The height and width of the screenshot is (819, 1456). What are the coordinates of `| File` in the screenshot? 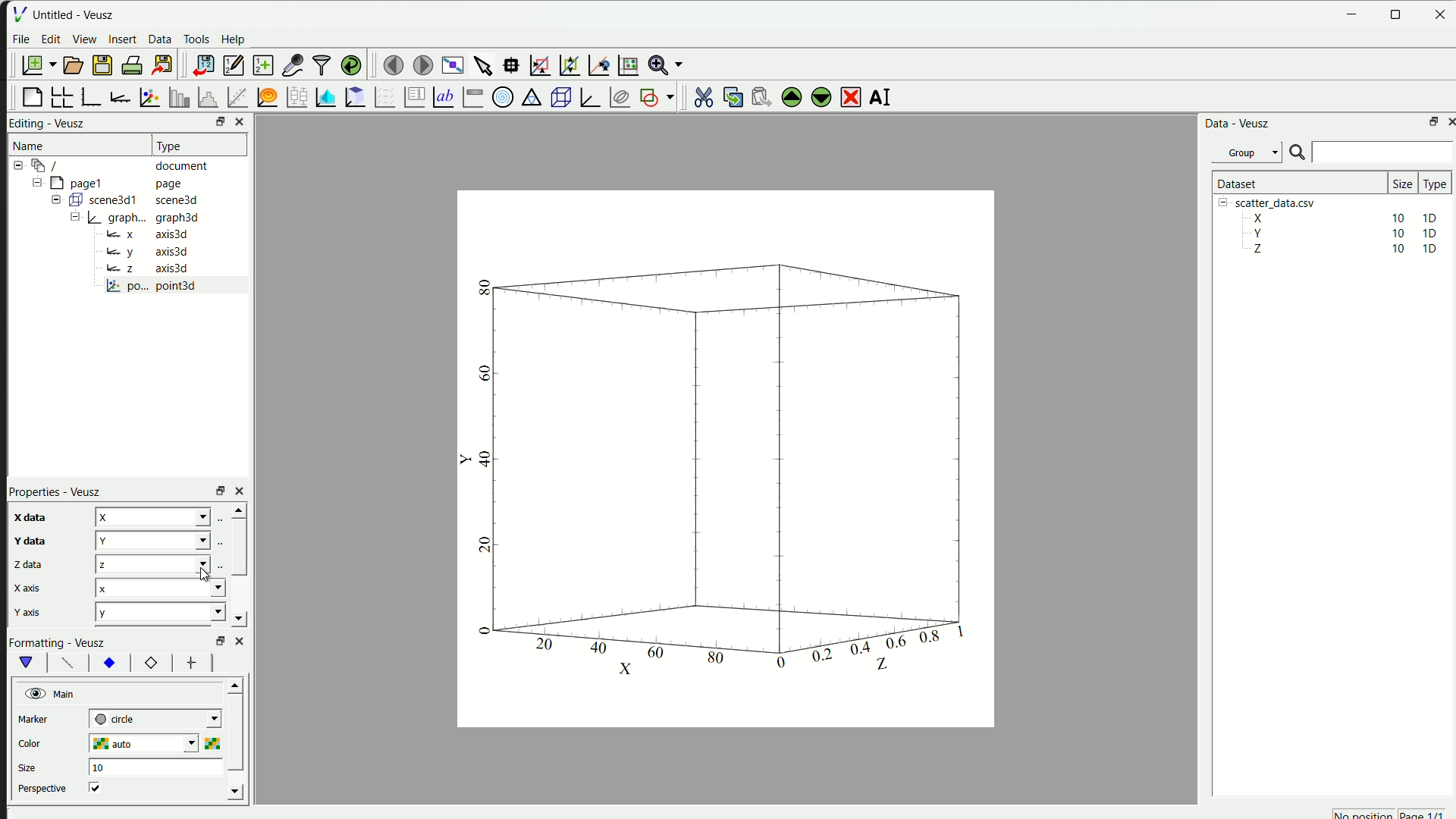 It's located at (18, 12).